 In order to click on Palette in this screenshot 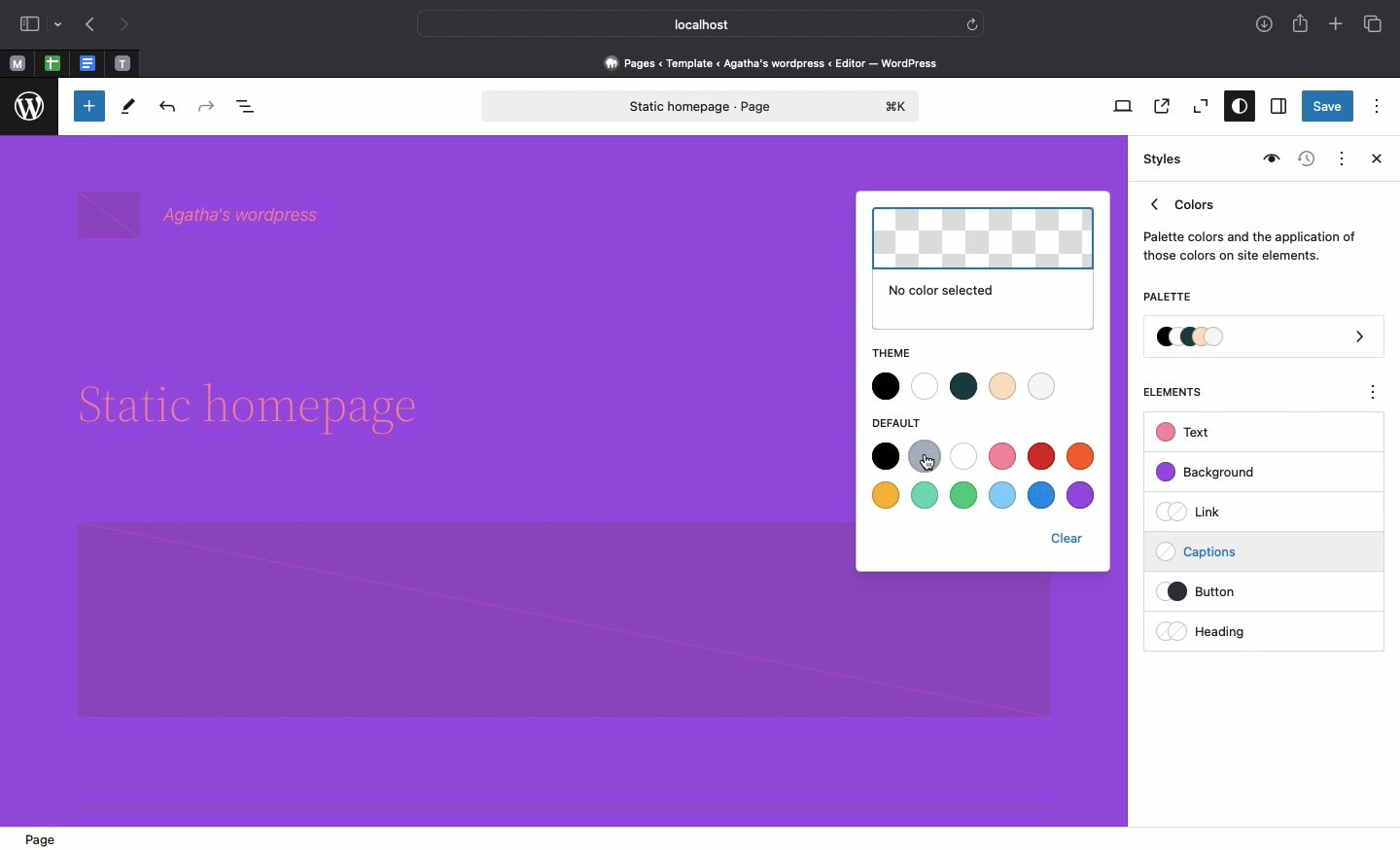, I will do `click(1265, 338)`.